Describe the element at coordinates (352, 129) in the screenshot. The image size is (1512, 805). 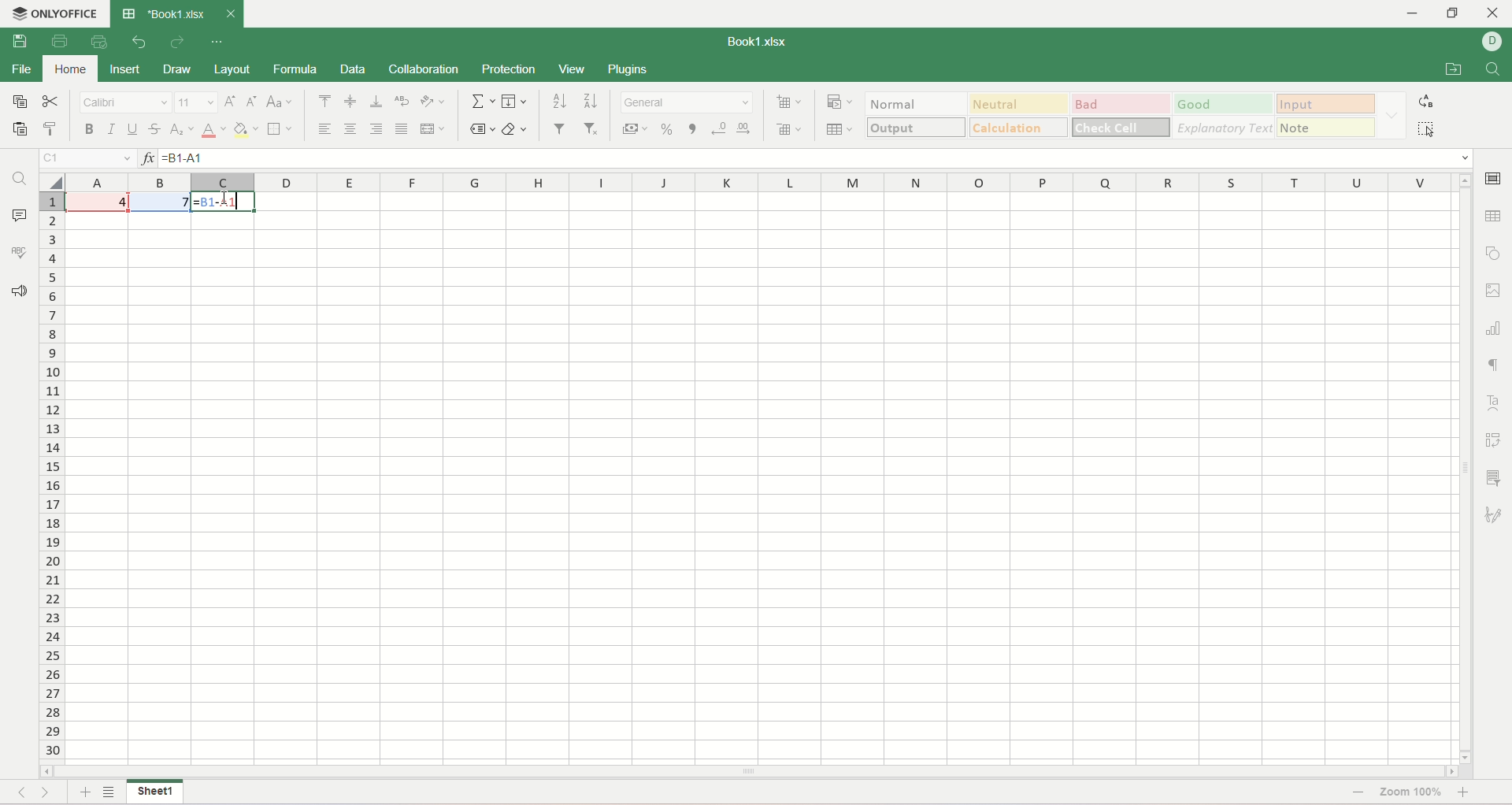
I see `align center` at that location.